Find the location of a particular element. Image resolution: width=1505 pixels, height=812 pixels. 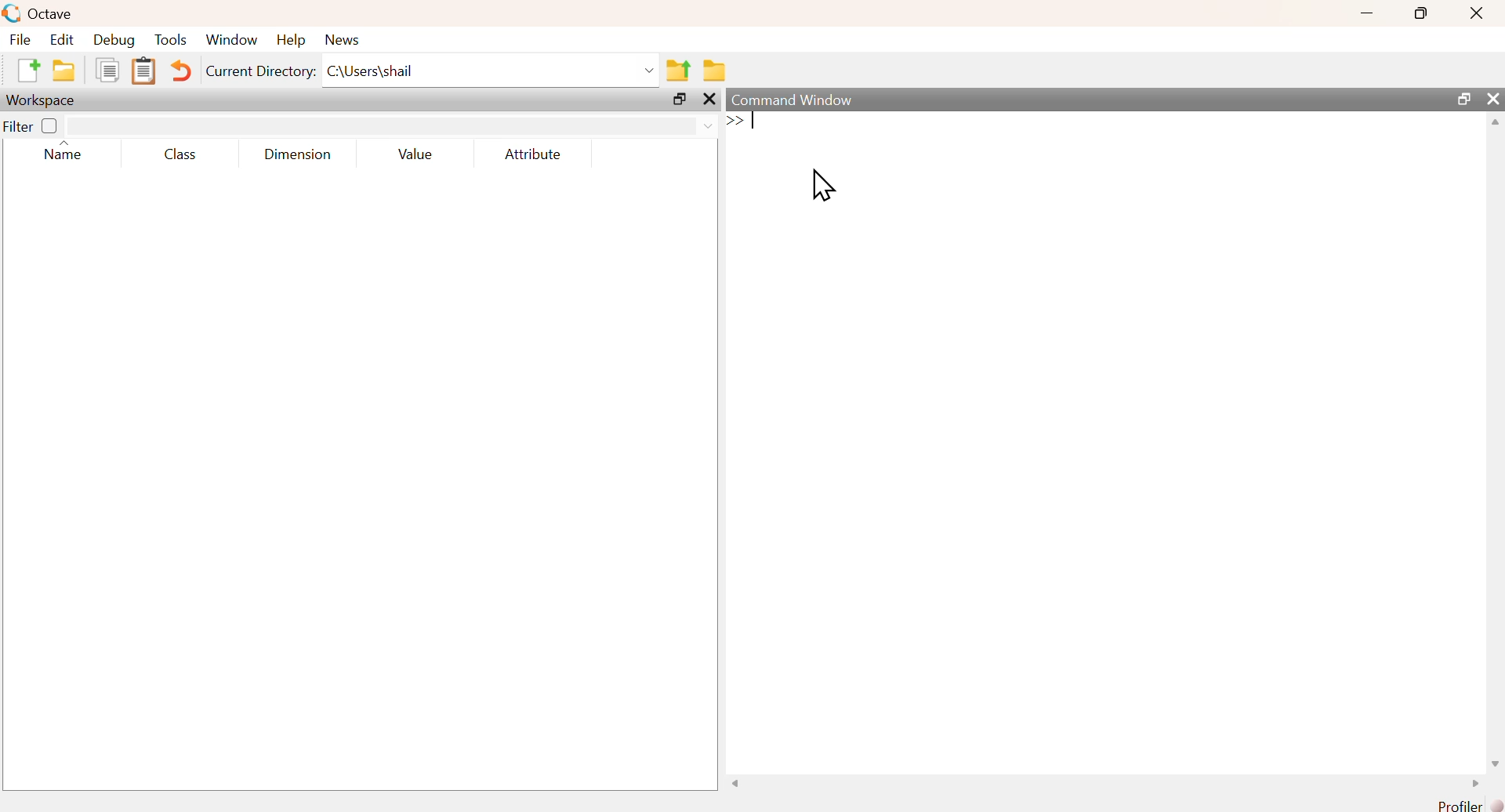

Duplicate is located at coordinates (107, 69).